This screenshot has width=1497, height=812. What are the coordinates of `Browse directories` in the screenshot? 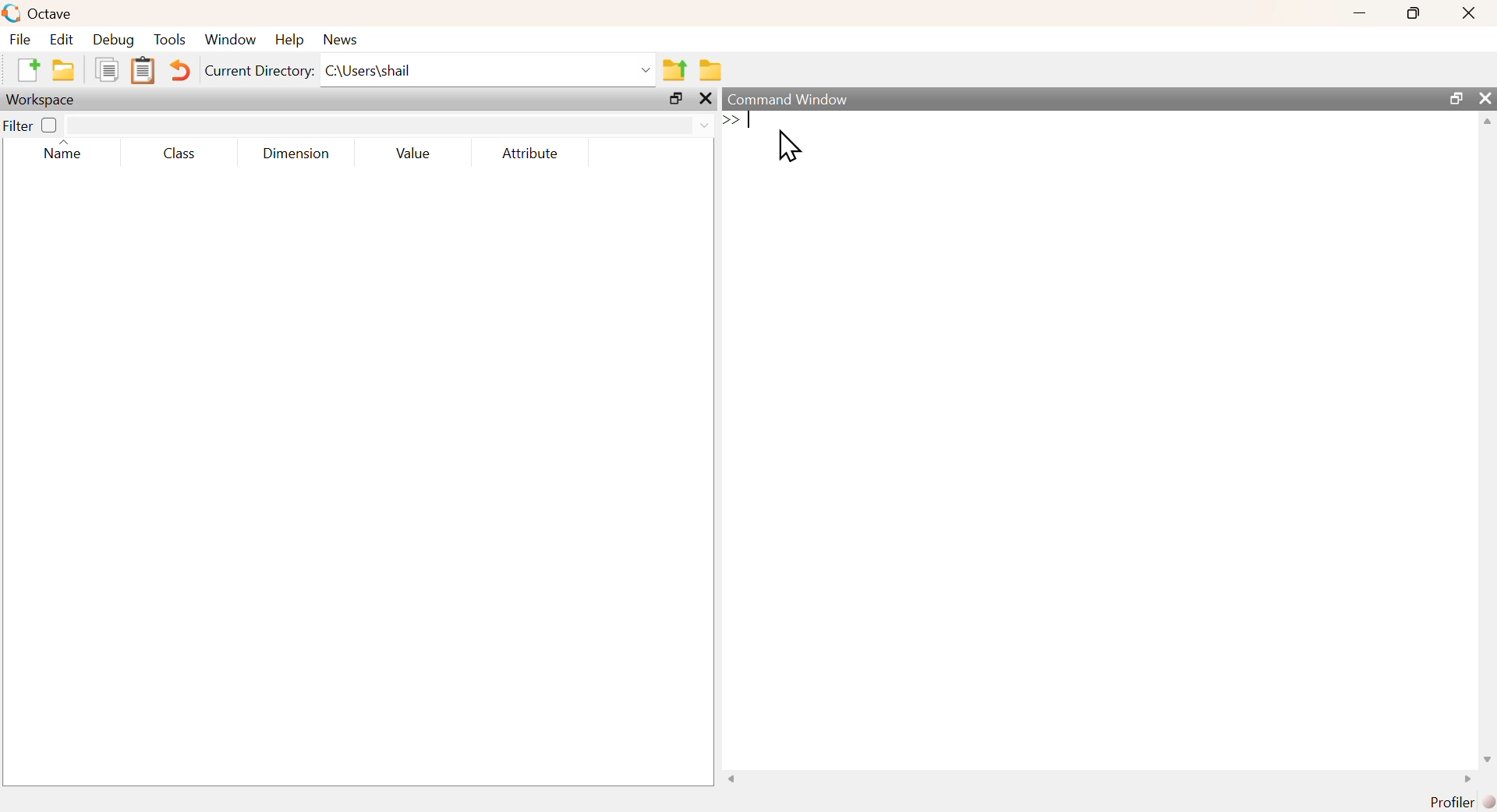 It's located at (710, 72).